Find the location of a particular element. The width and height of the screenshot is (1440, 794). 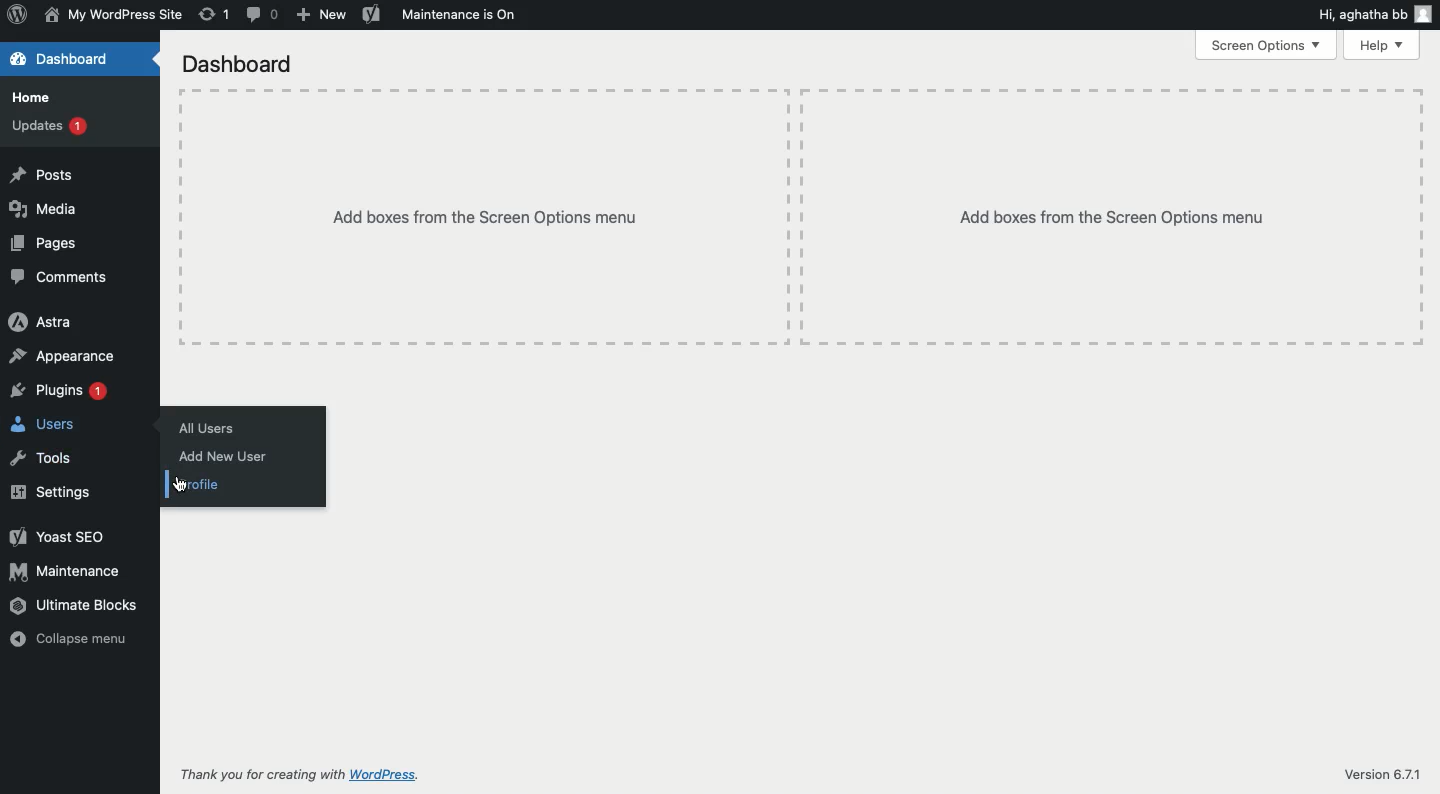

Revision is located at coordinates (214, 14).